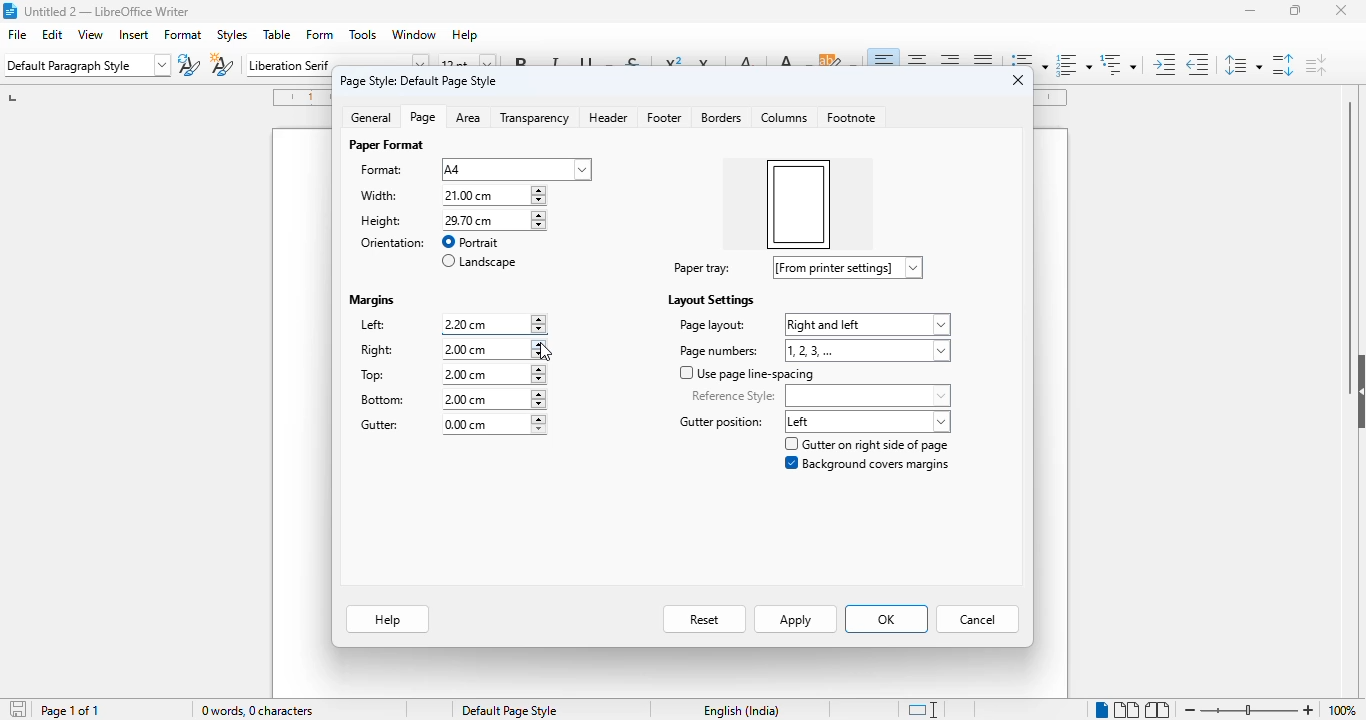  I want to click on vertical scroll bar, so click(1349, 222).